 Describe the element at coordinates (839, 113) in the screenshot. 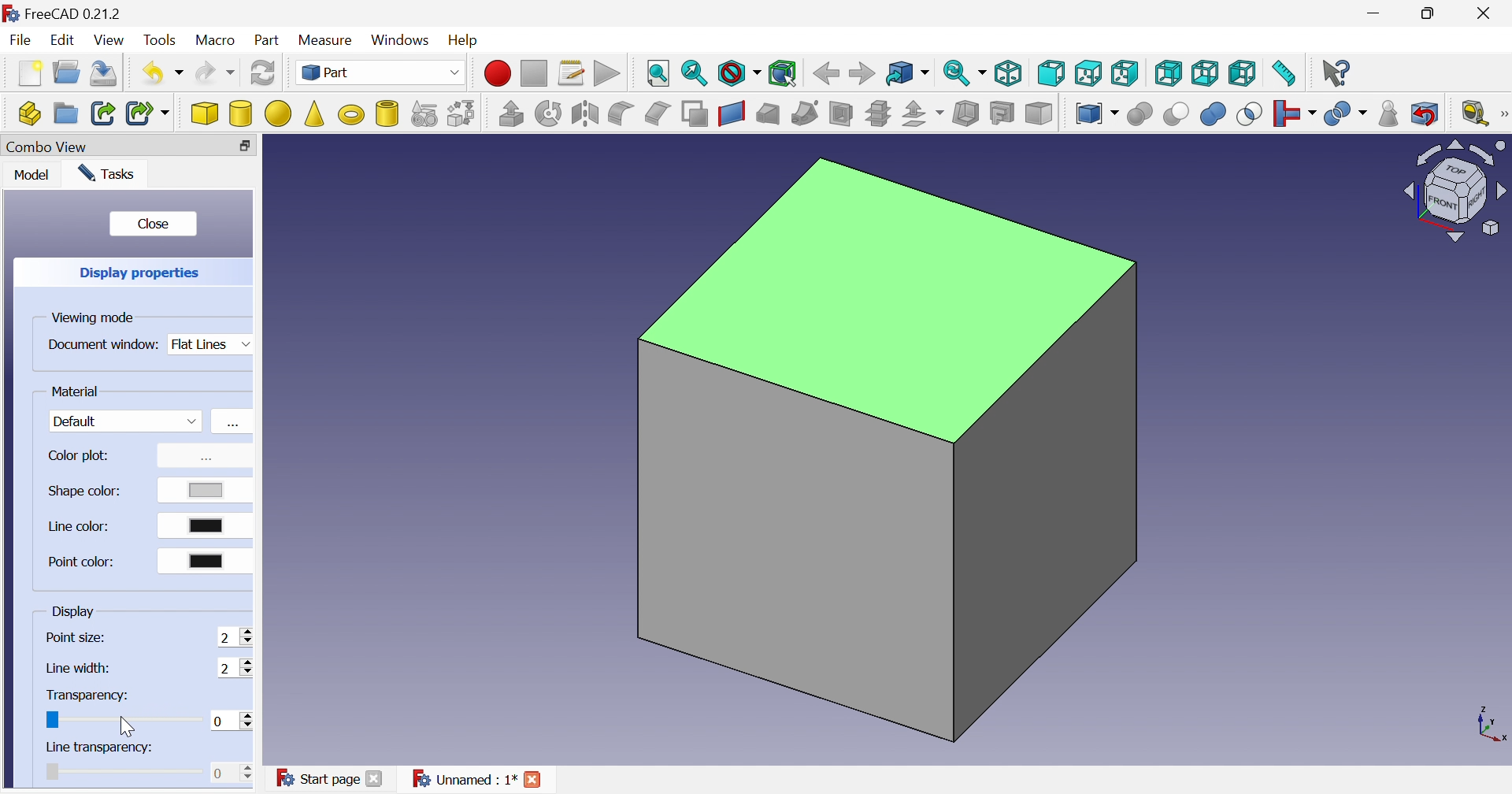

I see `Section` at that location.